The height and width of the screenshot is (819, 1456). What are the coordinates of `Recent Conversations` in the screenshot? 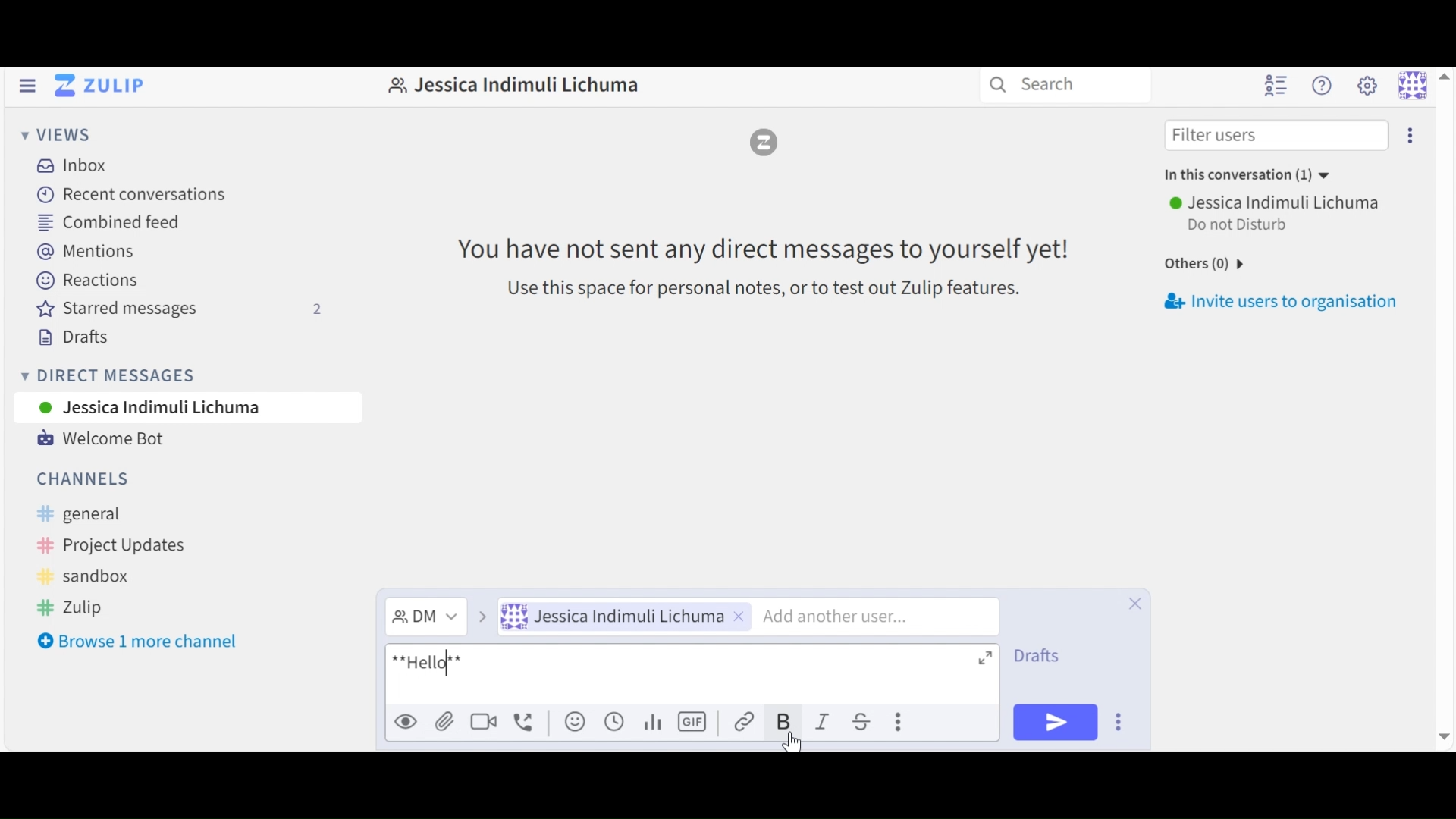 It's located at (129, 196).